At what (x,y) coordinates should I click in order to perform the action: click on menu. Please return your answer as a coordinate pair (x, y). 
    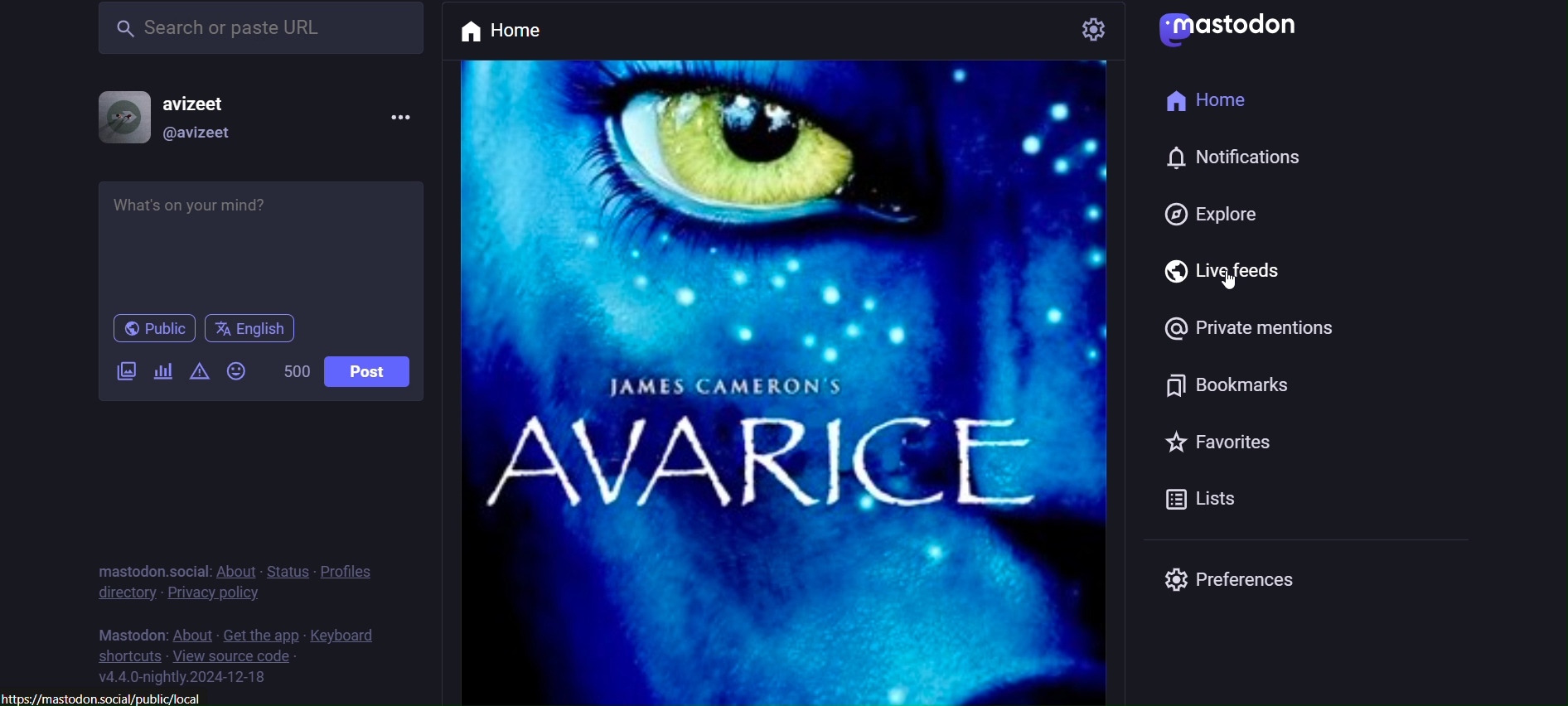
    Looking at the image, I should click on (405, 116).